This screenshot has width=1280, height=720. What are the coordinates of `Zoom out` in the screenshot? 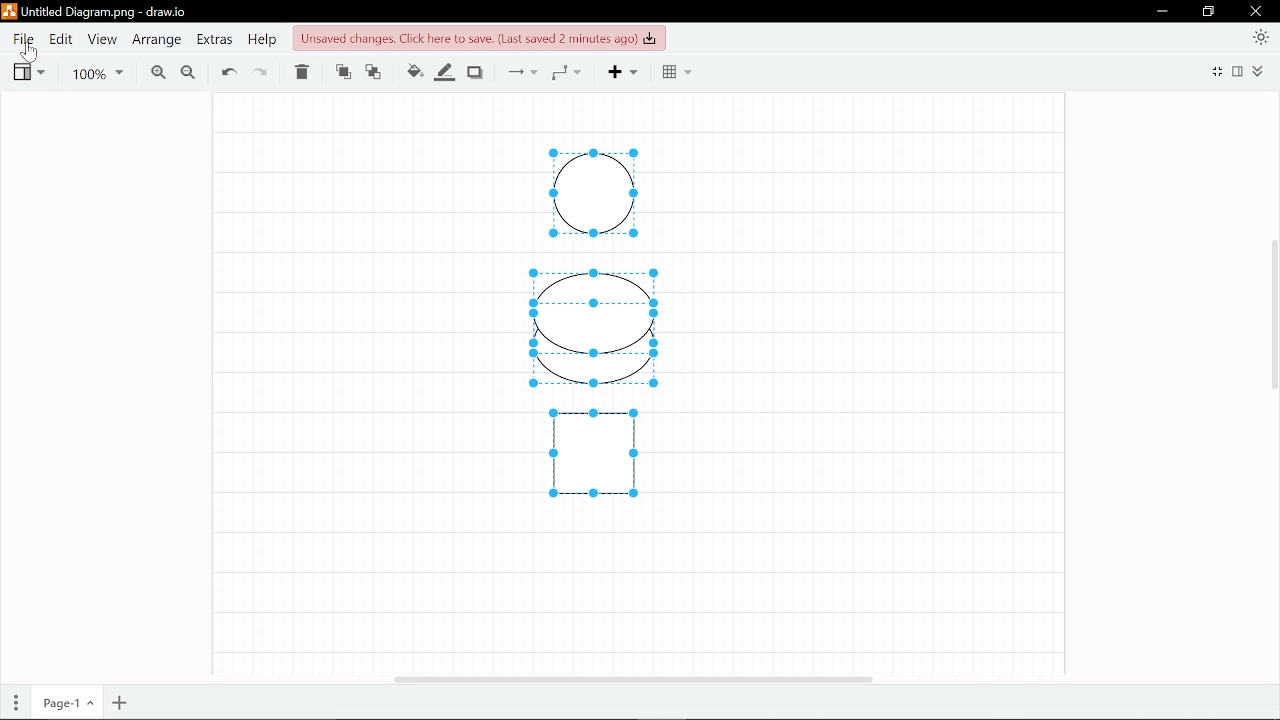 It's located at (187, 74).